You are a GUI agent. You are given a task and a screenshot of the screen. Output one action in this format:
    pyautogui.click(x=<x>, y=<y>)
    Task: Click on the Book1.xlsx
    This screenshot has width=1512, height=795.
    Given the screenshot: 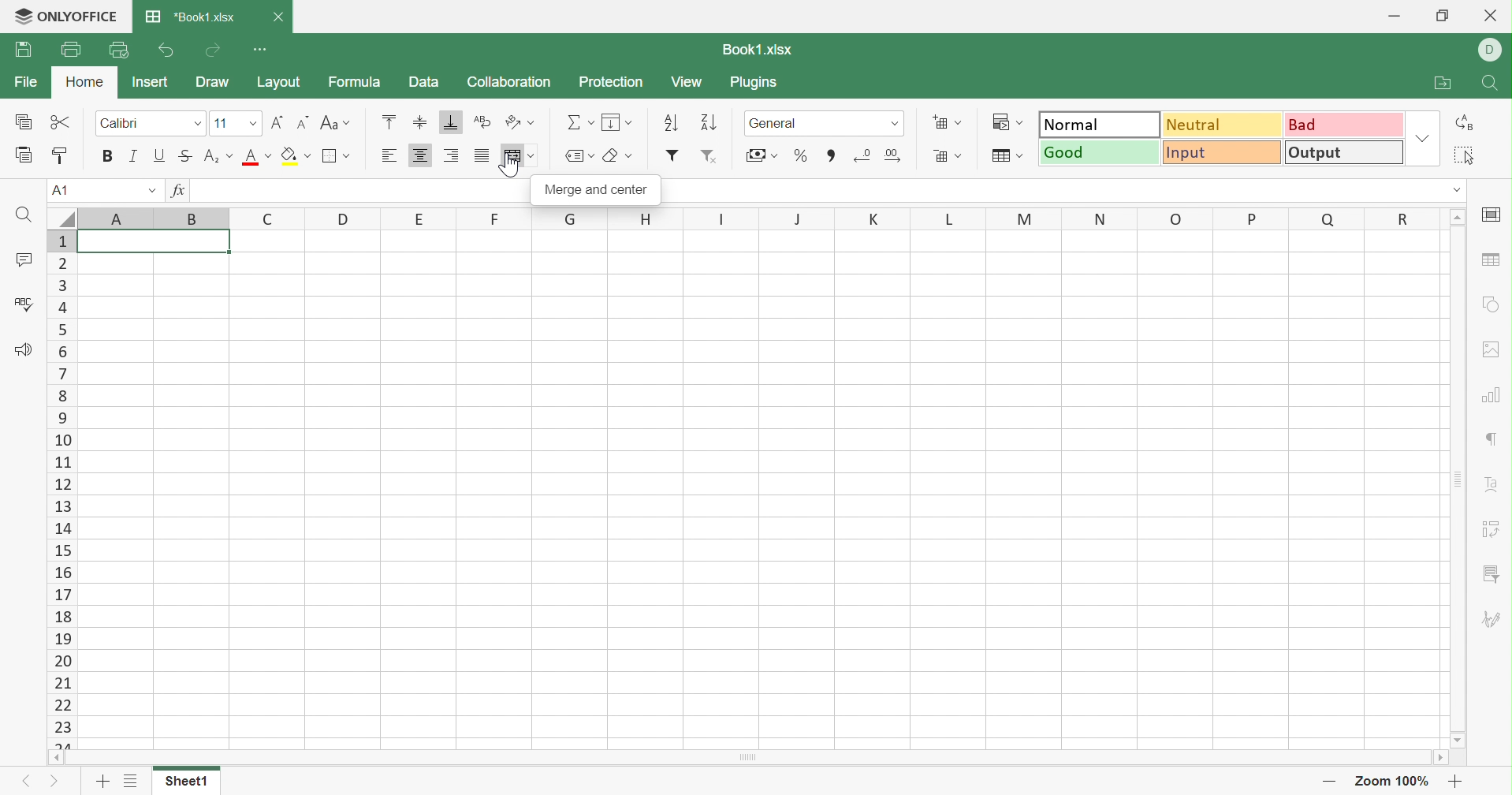 What is the action you would take?
    pyautogui.click(x=758, y=50)
    